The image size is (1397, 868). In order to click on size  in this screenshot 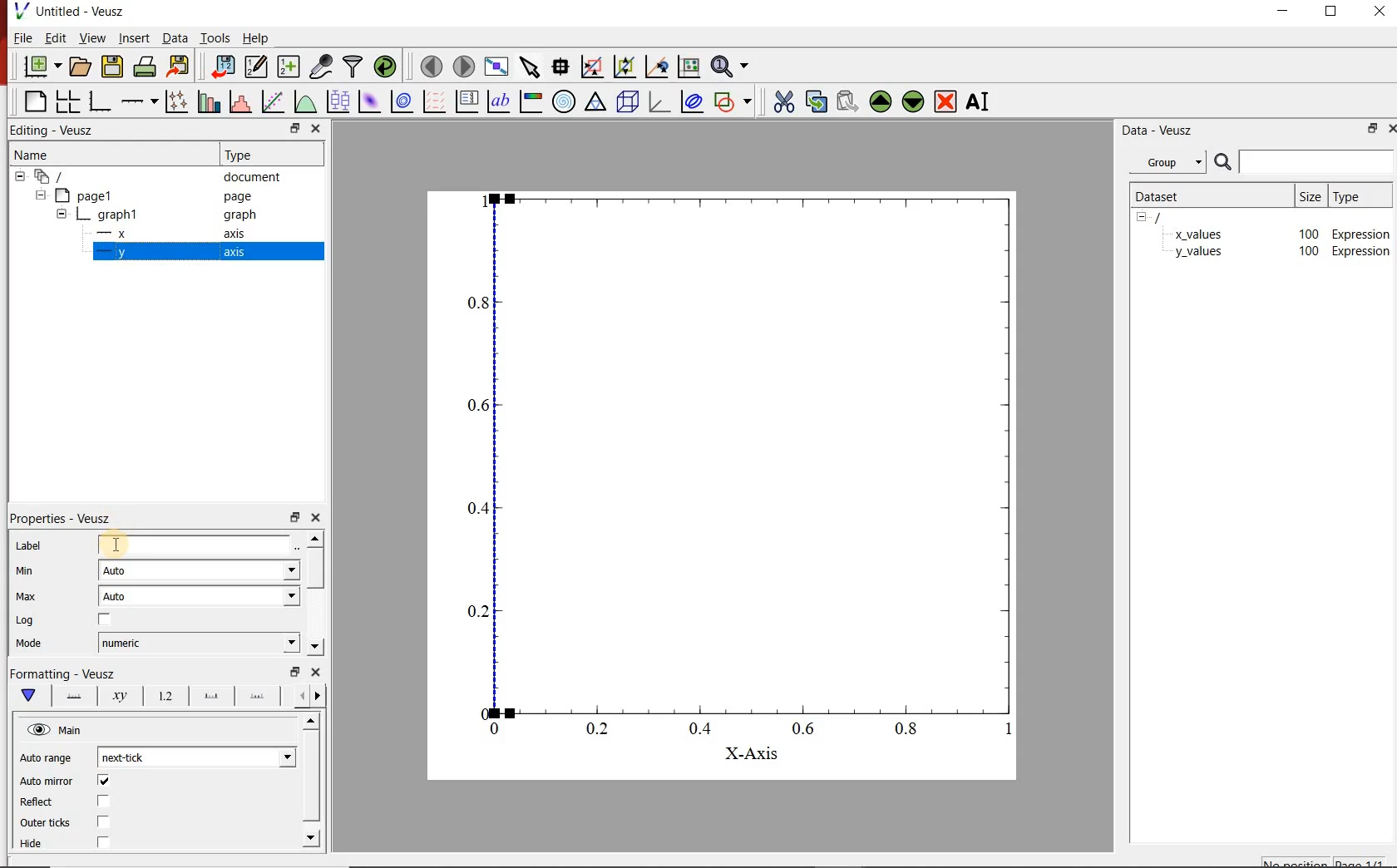, I will do `click(1311, 196)`.